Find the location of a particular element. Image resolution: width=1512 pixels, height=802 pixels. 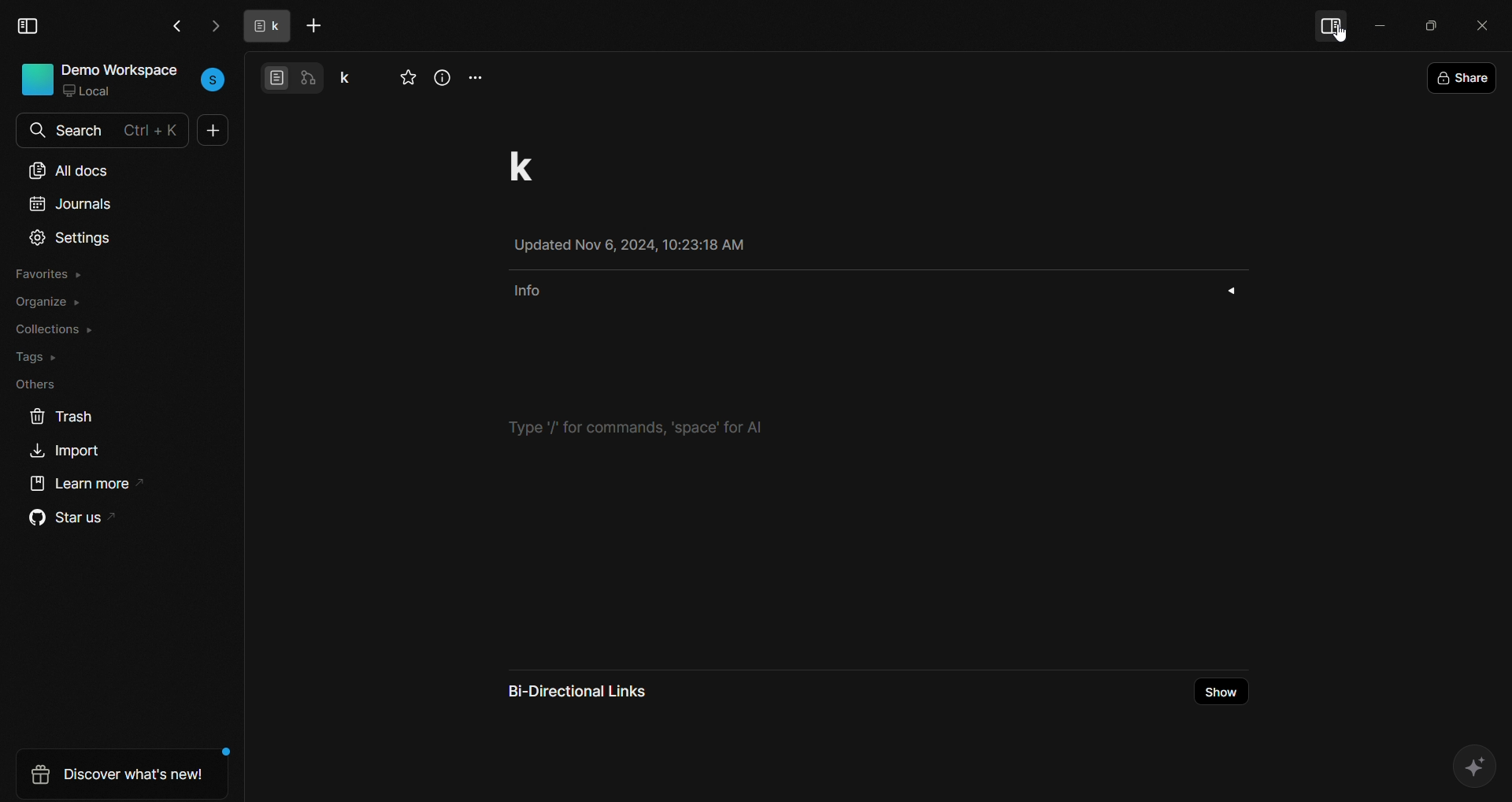

discover whats new is located at coordinates (114, 774).